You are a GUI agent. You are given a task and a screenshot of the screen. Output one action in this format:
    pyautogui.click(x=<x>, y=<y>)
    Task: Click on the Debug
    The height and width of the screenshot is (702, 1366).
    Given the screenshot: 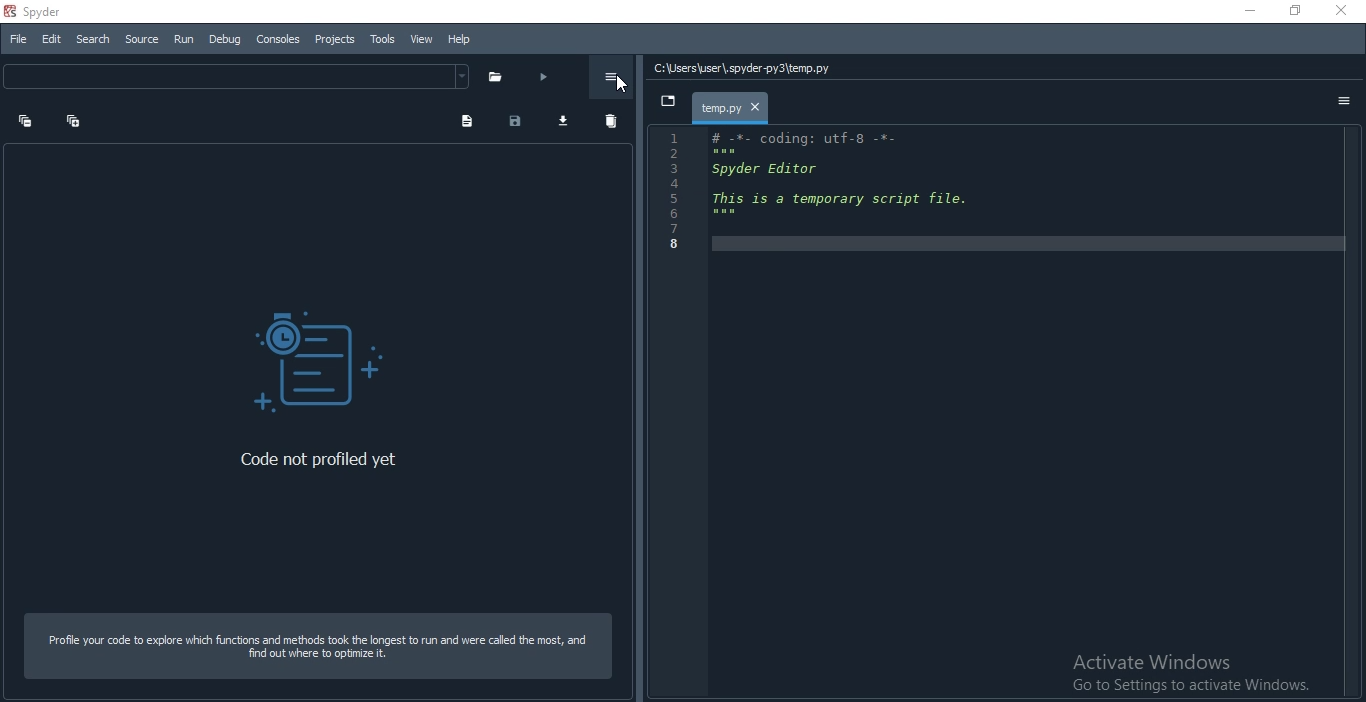 What is the action you would take?
    pyautogui.click(x=225, y=40)
    